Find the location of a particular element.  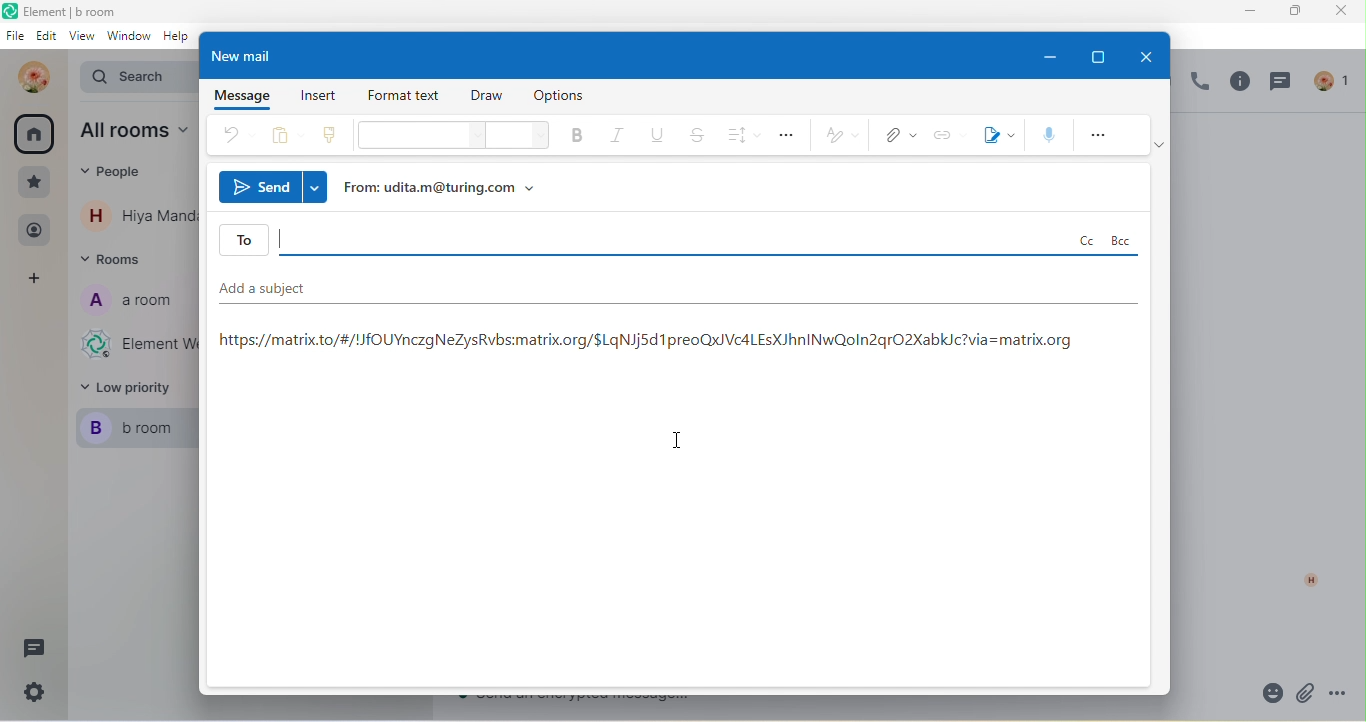

font style is located at coordinates (416, 137).